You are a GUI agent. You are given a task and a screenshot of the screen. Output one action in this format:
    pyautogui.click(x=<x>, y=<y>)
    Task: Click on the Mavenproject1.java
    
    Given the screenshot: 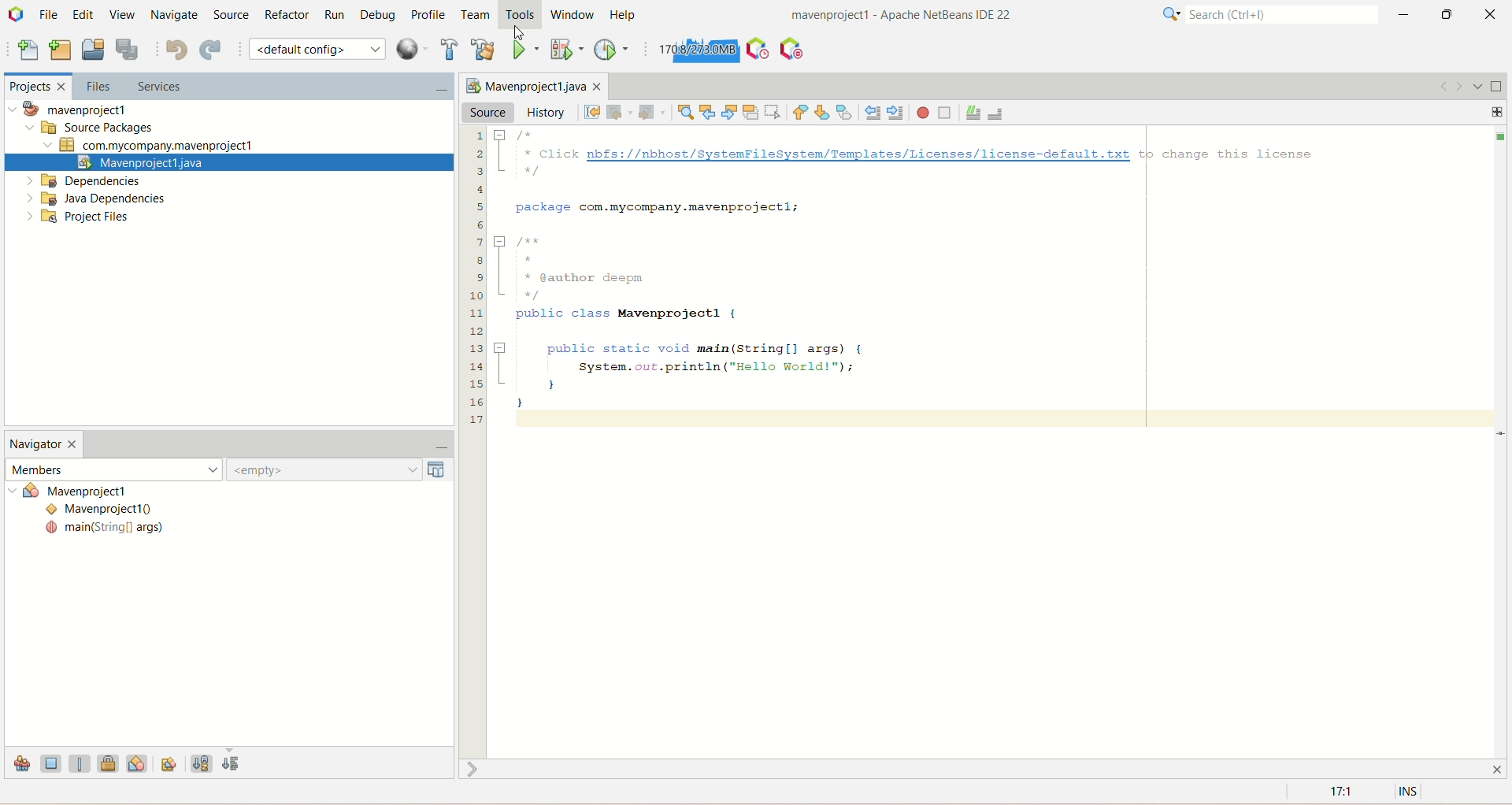 What is the action you would take?
    pyautogui.click(x=531, y=85)
    